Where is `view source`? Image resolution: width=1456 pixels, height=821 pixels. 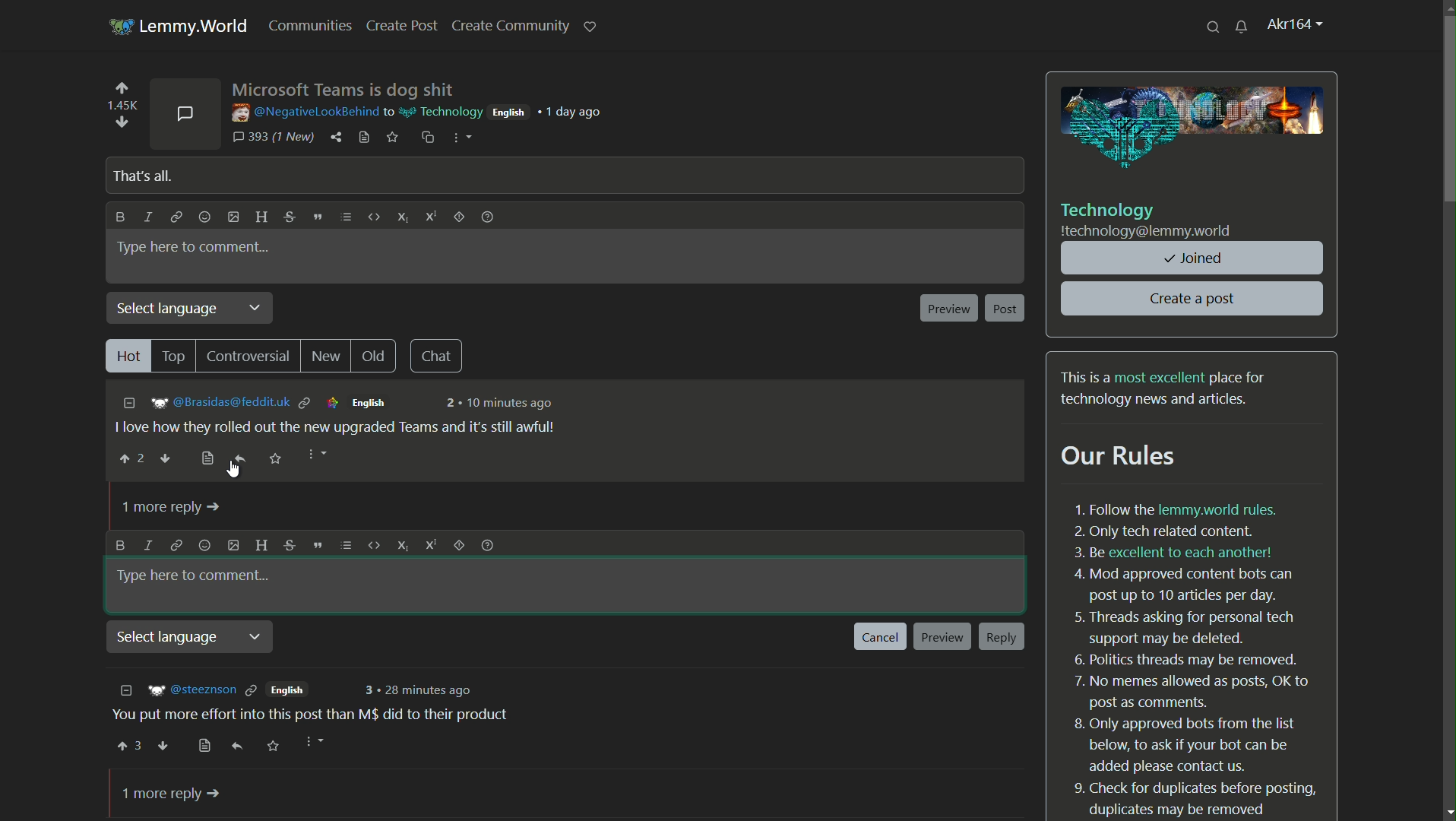 view source is located at coordinates (363, 138).